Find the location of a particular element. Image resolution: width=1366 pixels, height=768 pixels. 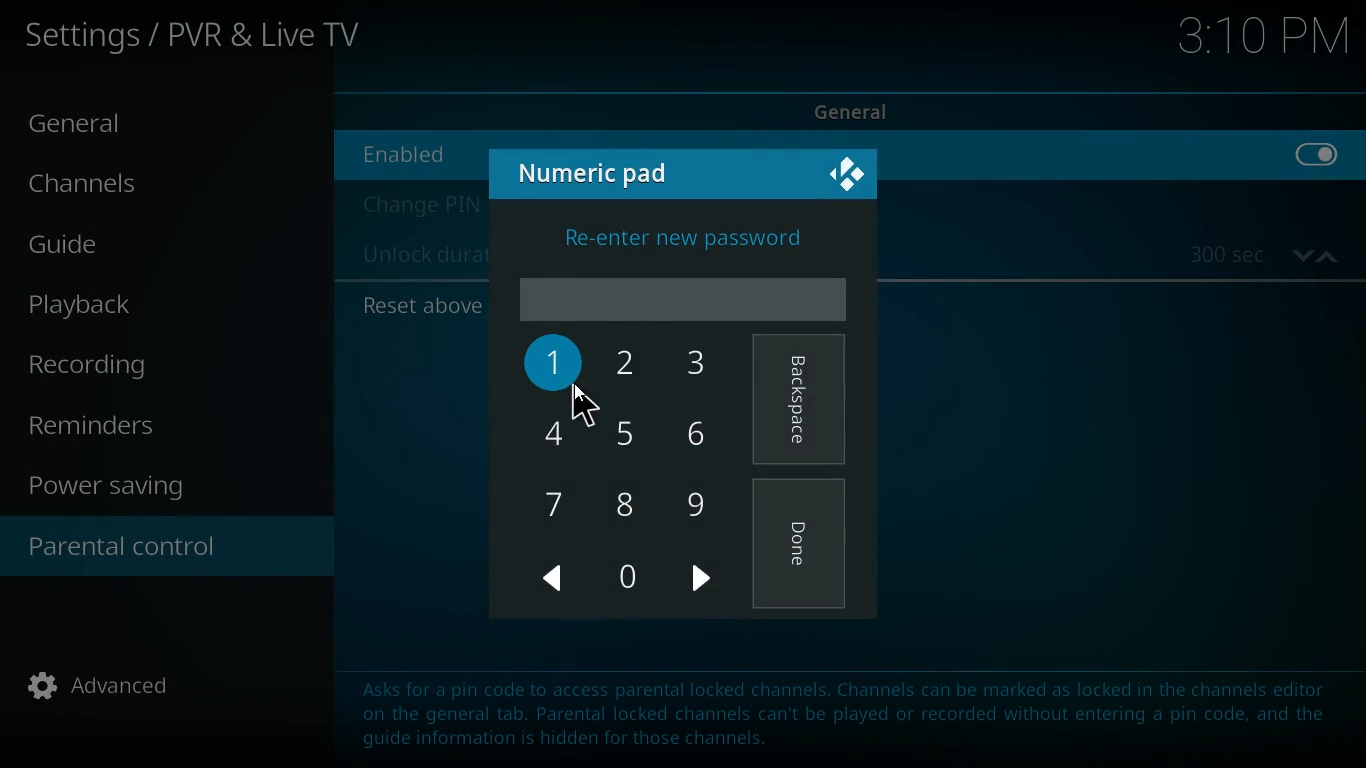

settings is located at coordinates (198, 39).